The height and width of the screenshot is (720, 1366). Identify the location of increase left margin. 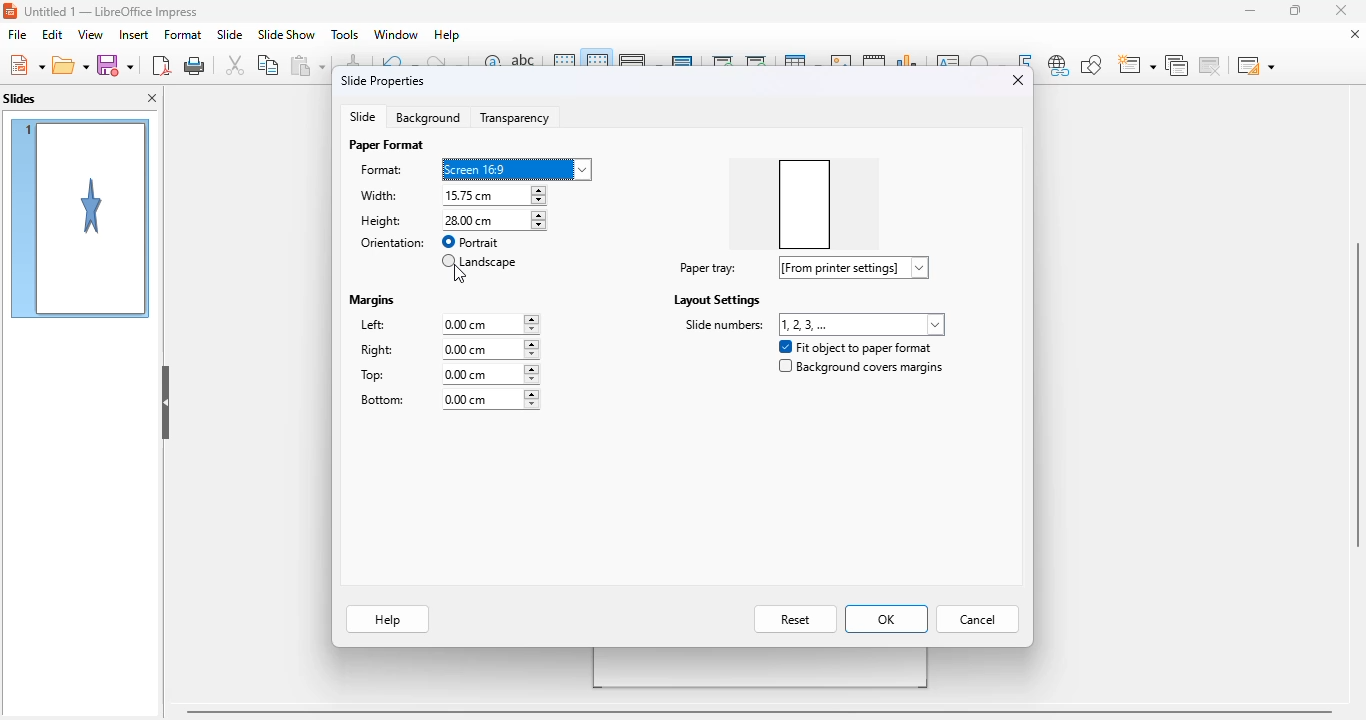
(533, 320).